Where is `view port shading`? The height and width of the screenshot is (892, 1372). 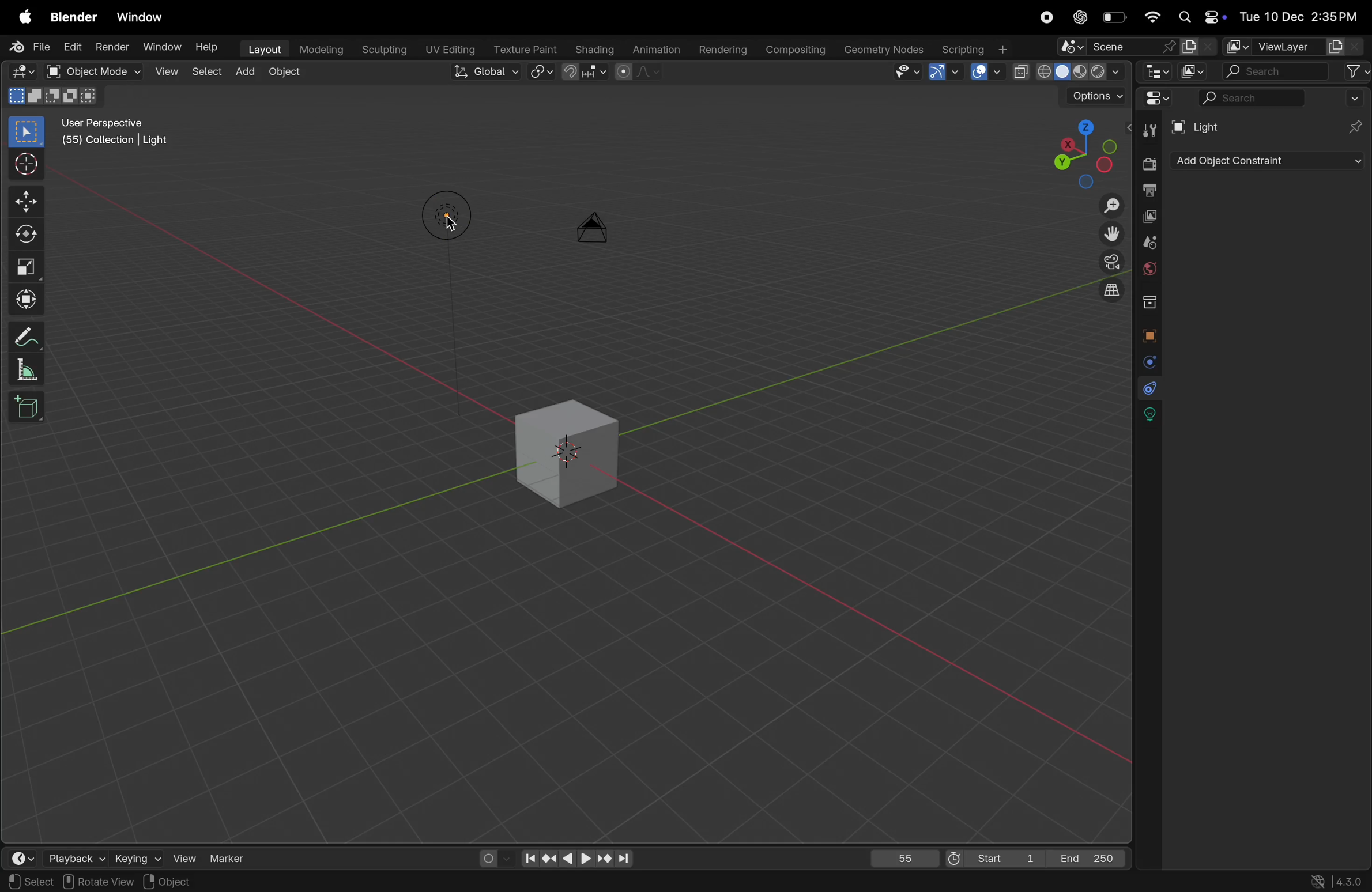
view port shading is located at coordinates (1073, 73).